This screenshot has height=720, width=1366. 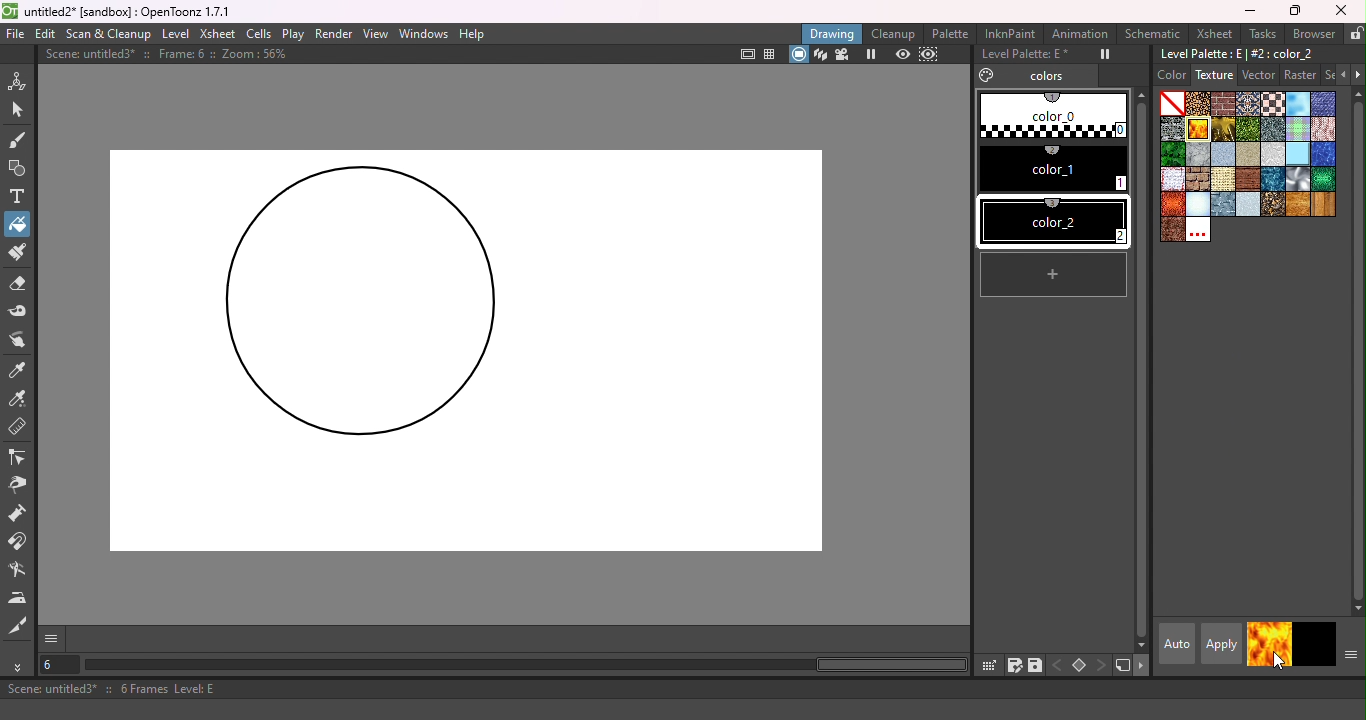 What do you see at coordinates (894, 33) in the screenshot?
I see `Cleanup` at bounding box center [894, 33].